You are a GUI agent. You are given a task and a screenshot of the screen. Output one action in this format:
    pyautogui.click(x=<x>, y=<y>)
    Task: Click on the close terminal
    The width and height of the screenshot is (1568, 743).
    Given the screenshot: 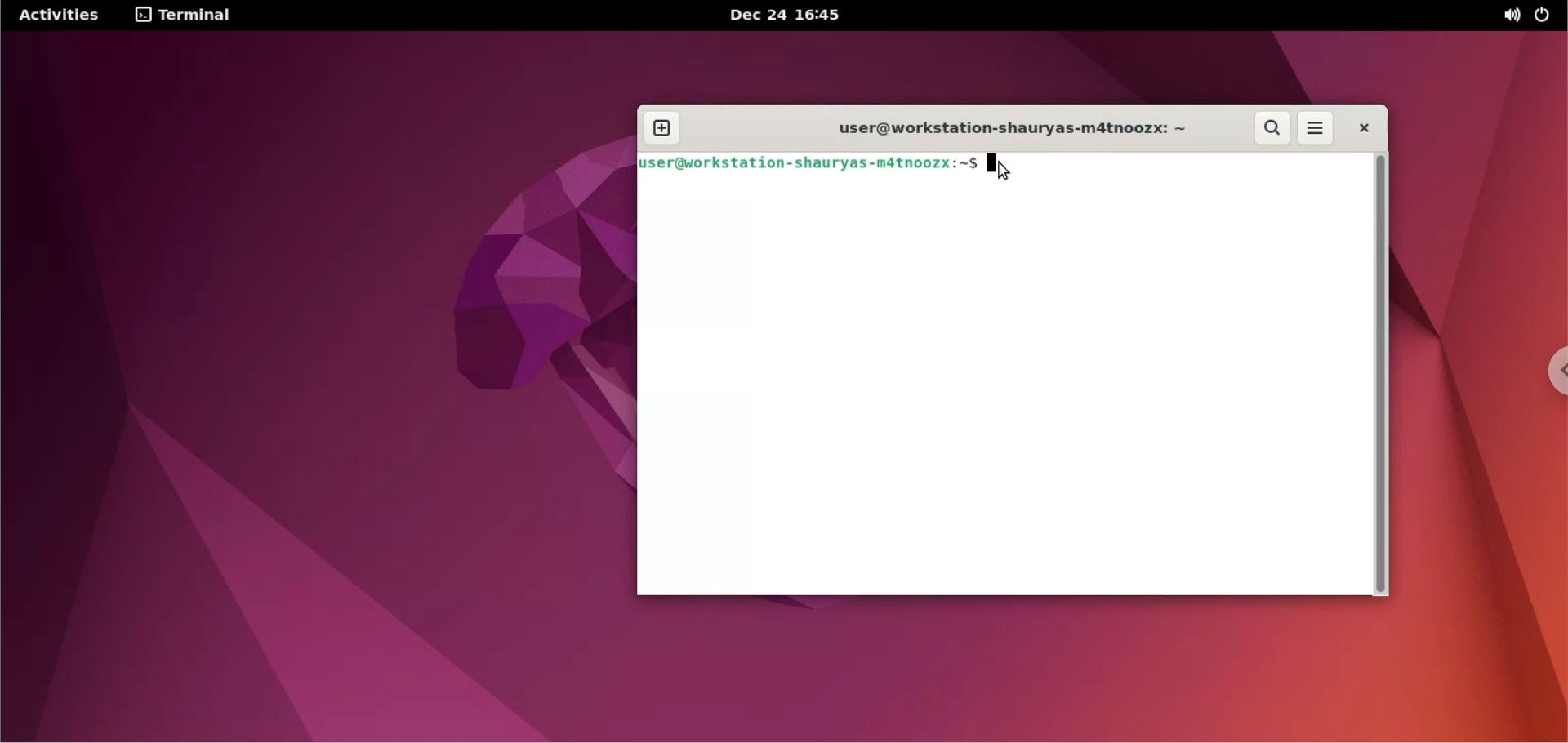 What is the action you would take?
    pyautogui.click(x=1358, y=131)
    